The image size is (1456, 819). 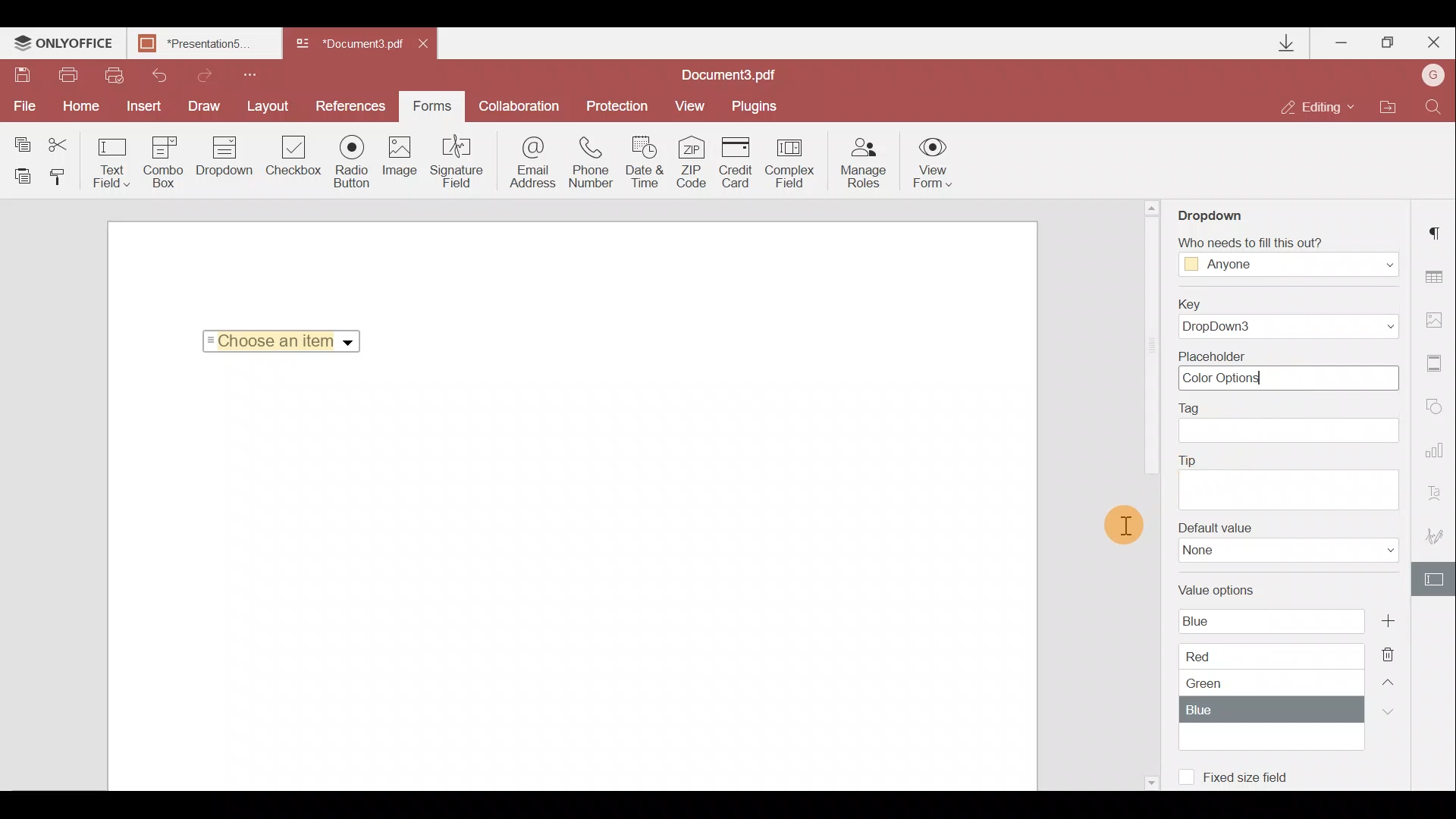 I want to click on Protection, so click(x=613, y=108).